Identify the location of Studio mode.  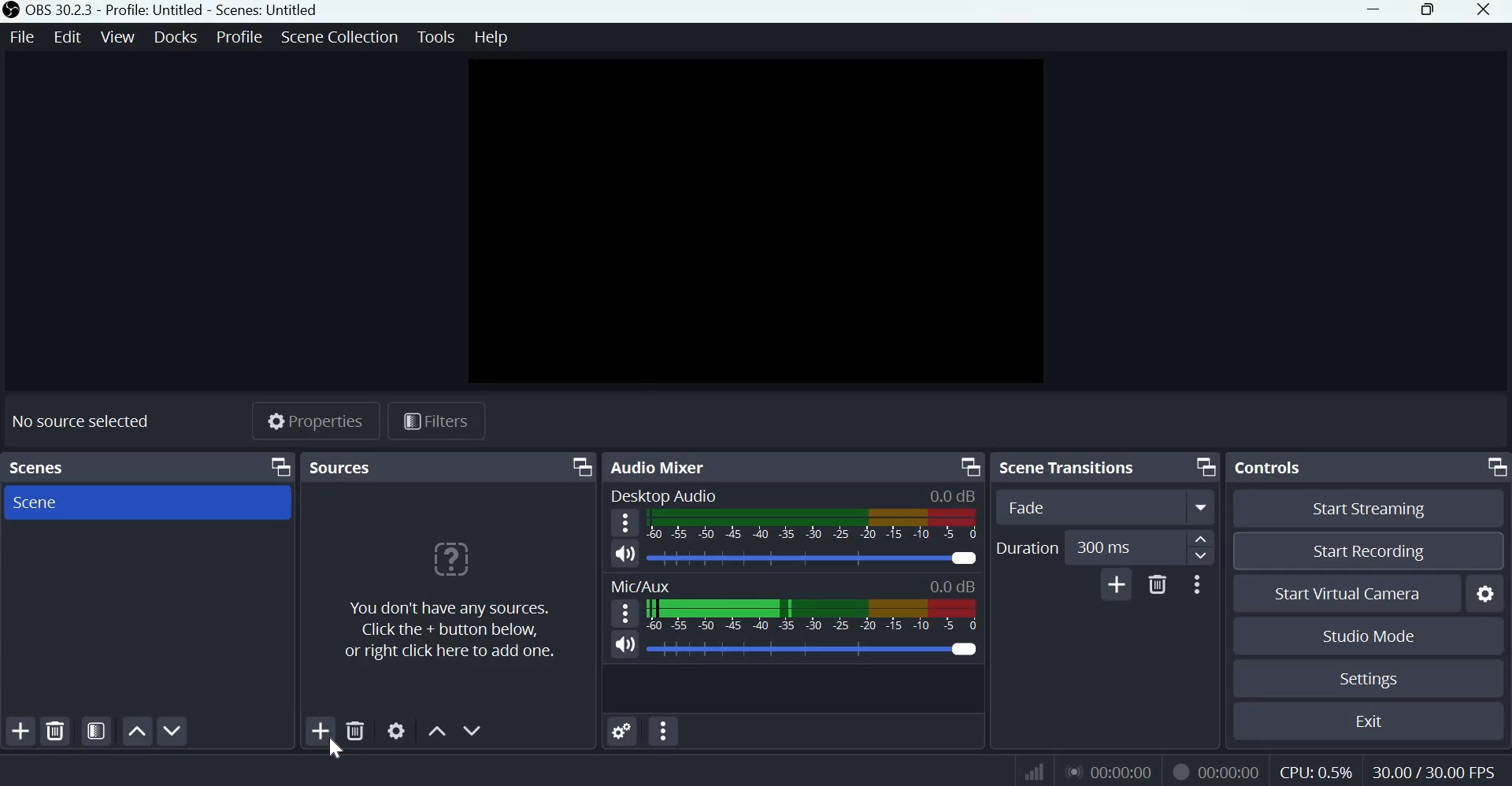
(1369, 635).